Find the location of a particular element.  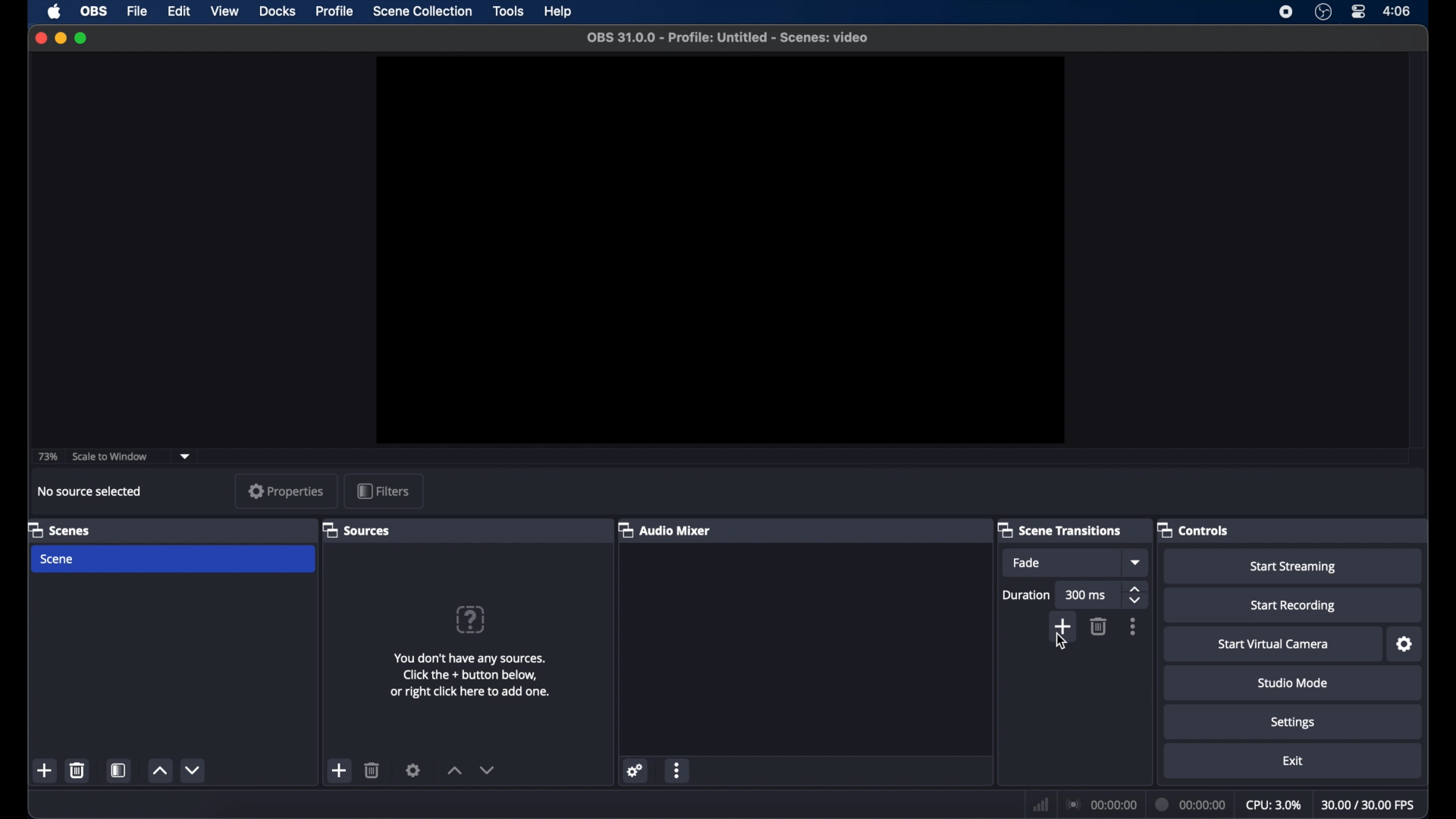

dropdown is located at coordinates (1137, 563).